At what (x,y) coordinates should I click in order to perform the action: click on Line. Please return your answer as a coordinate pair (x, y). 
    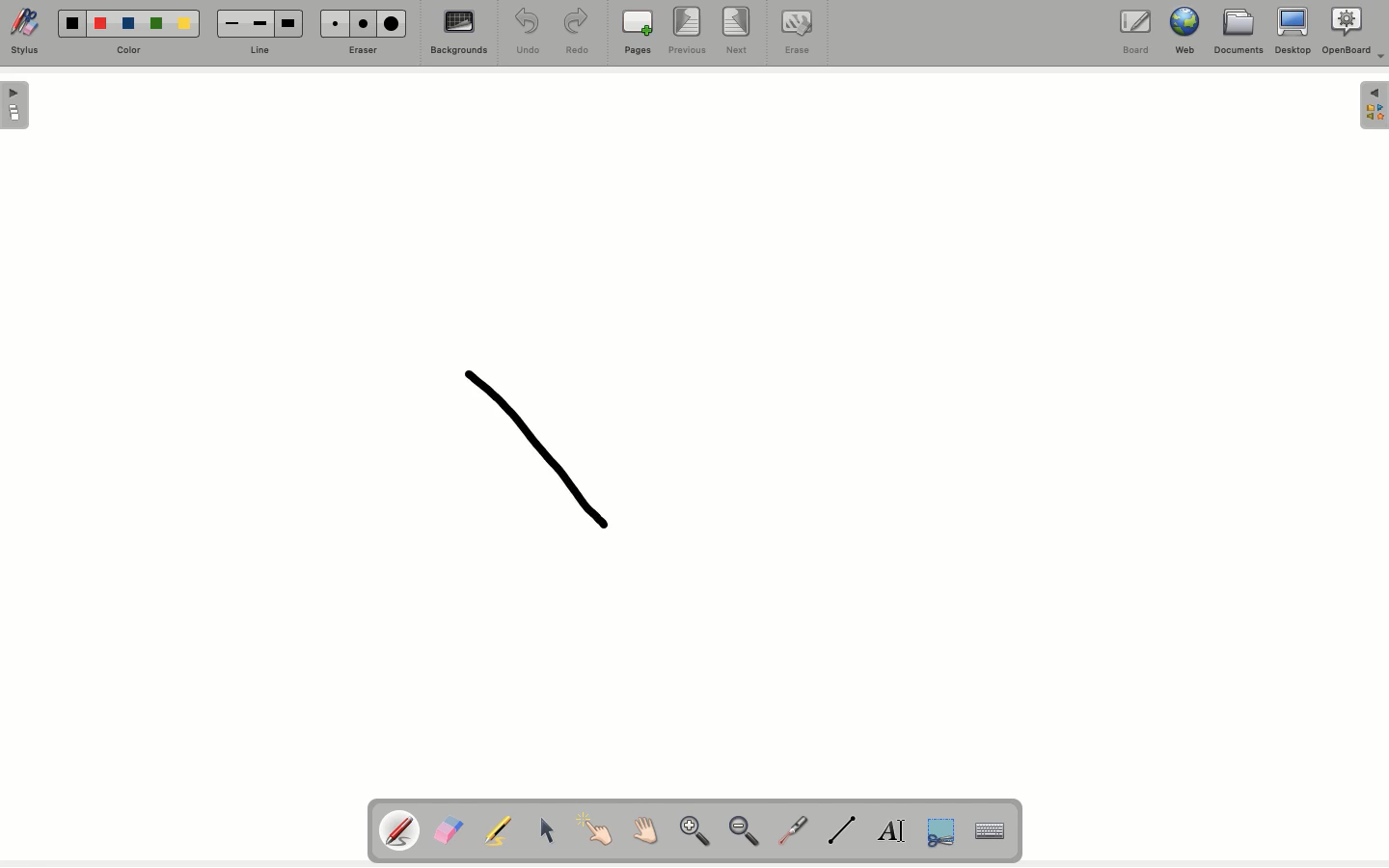
    Looking at the image, I should click on (844, 831).